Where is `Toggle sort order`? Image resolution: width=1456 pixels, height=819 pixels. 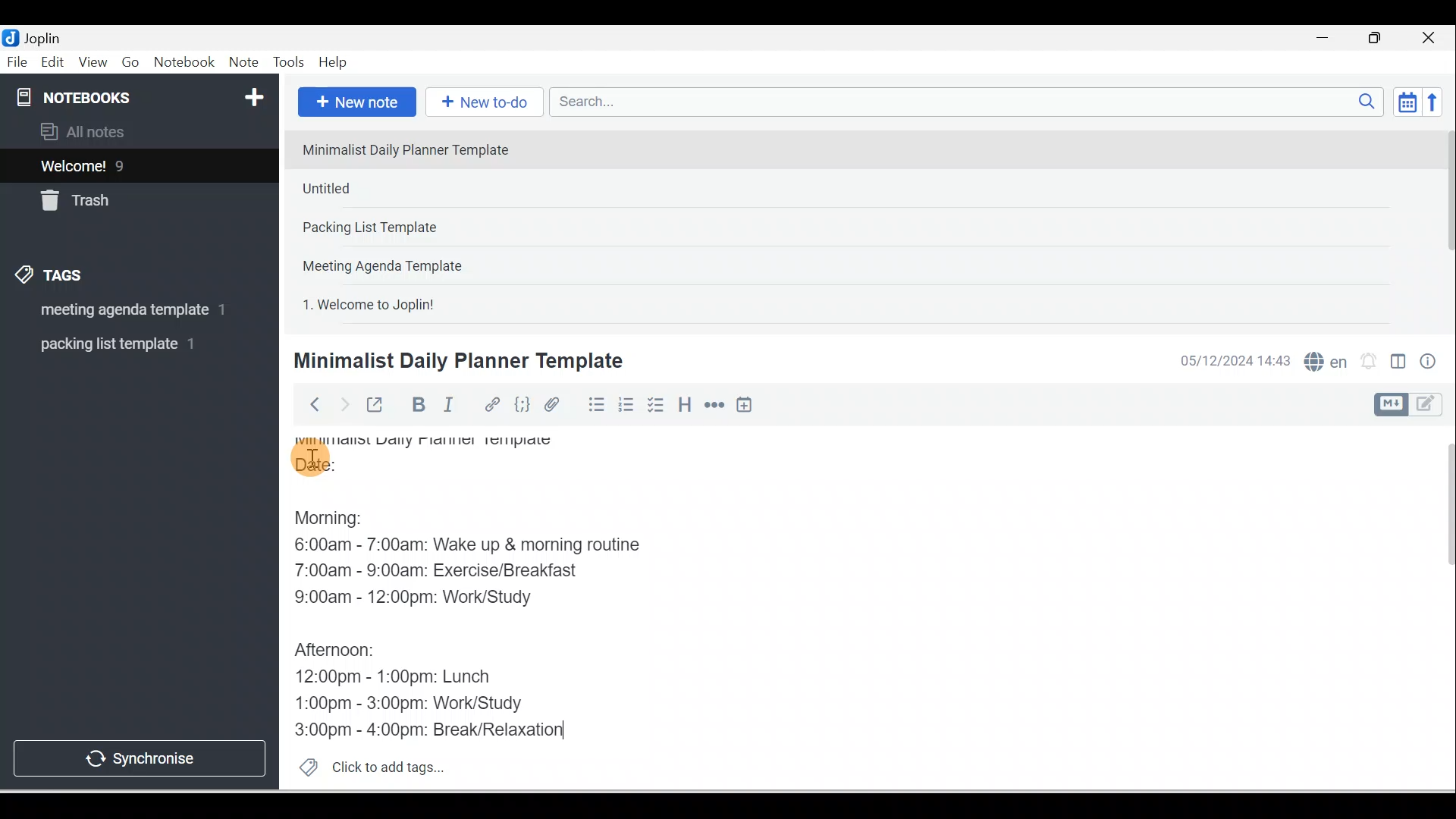 Toggle sort order is located at coordinates (1407, 101).